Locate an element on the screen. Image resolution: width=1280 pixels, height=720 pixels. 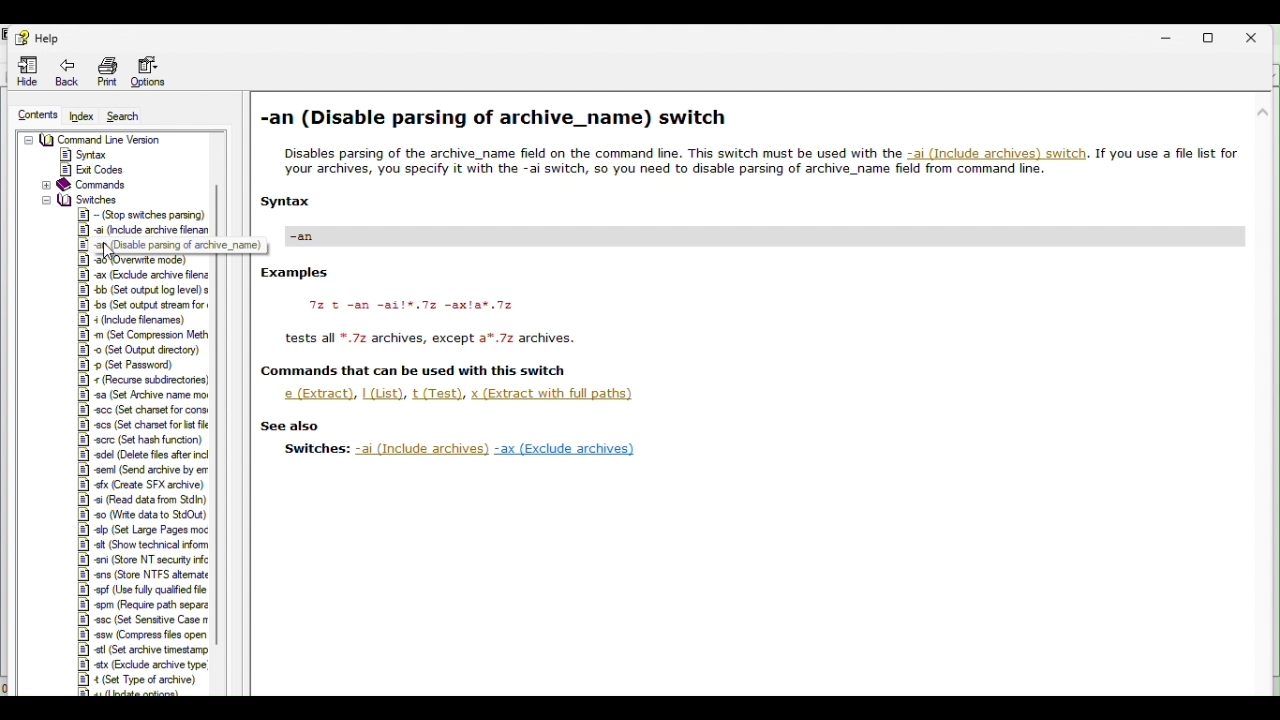
1B) +fx Create SFX archive) is located at coordinates (137, 484).